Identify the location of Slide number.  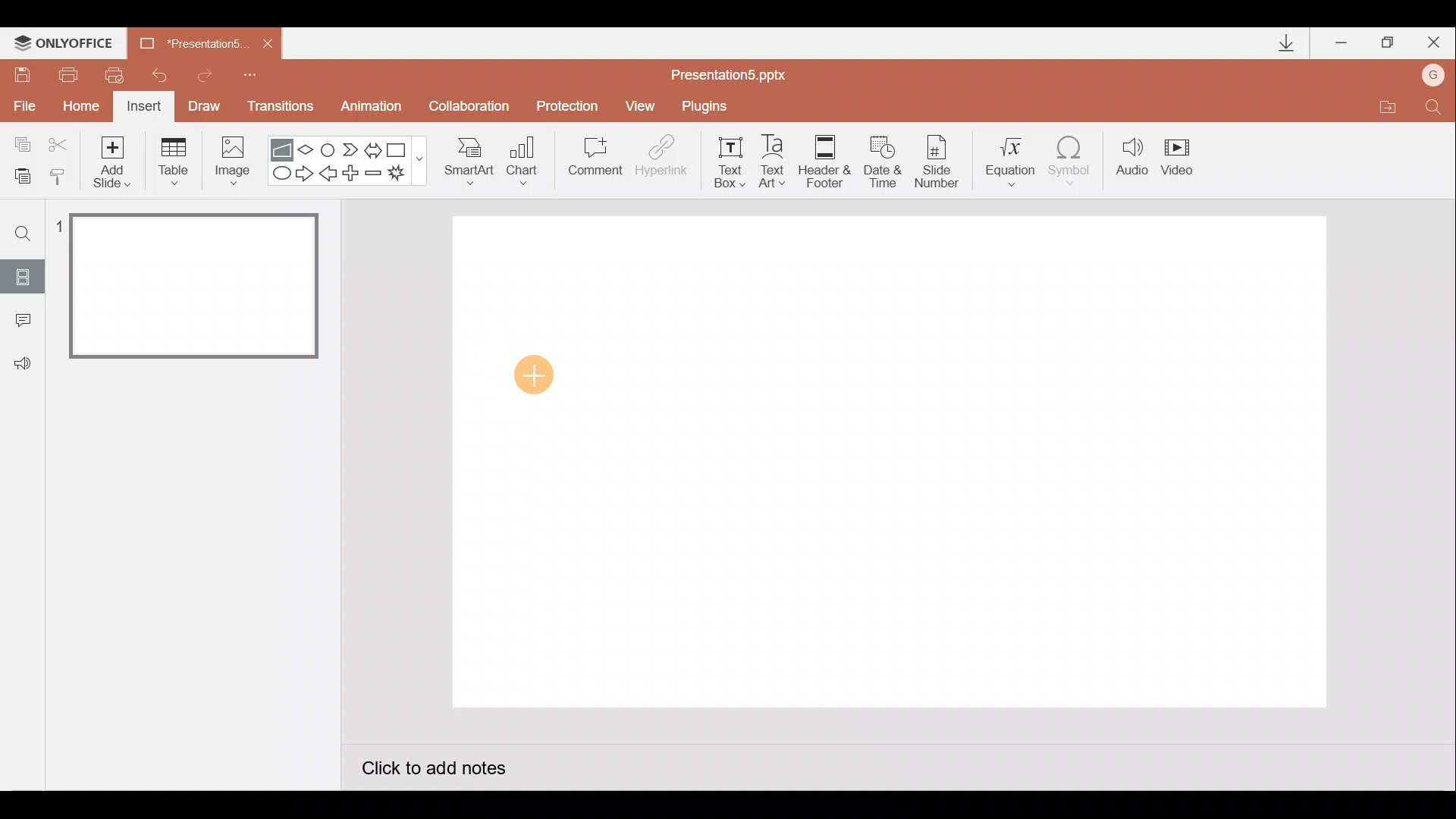
(941, 162).